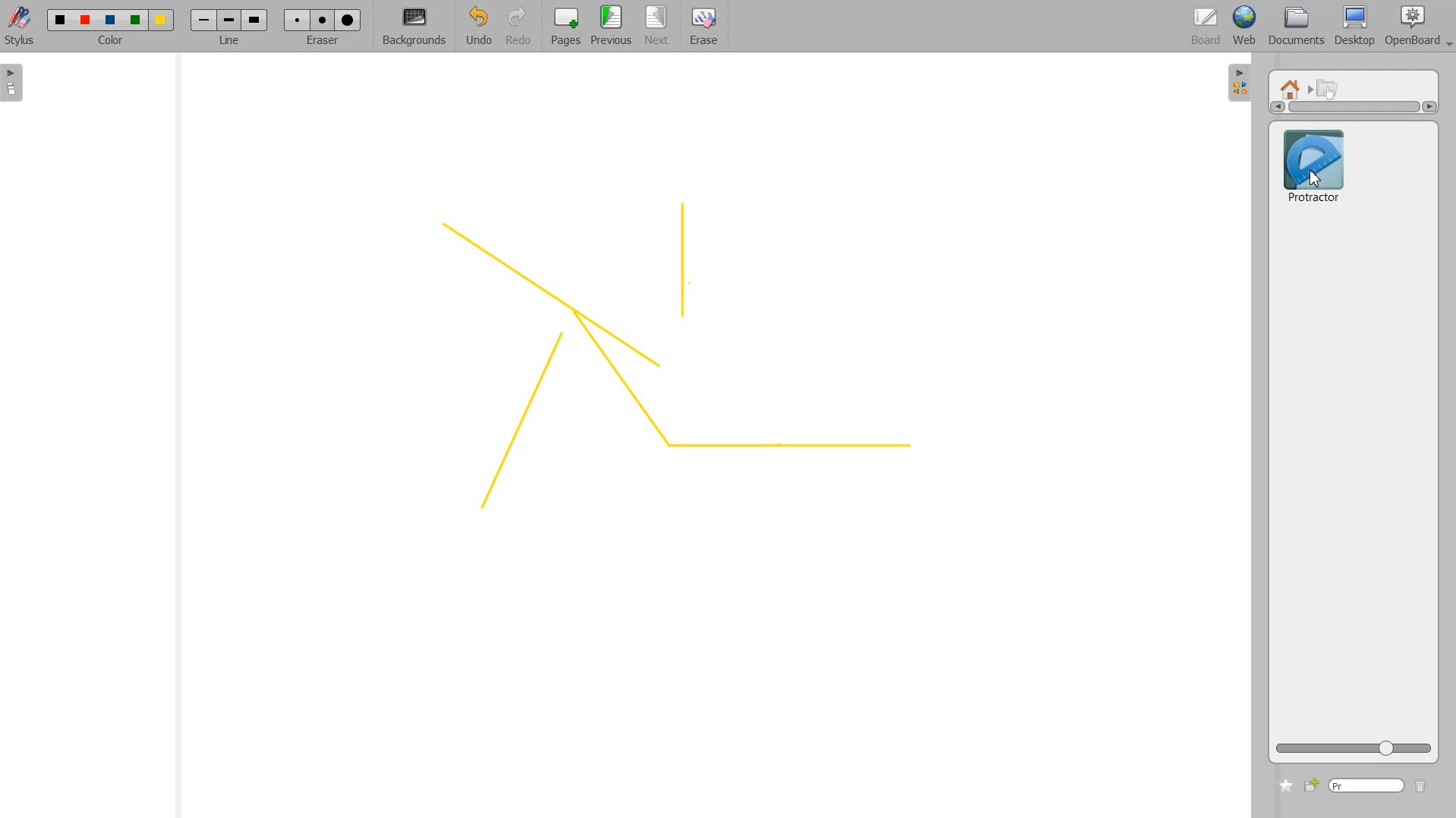 This screenshot has height=818, width=1456. I want to click on eraser, so click(320, 45).